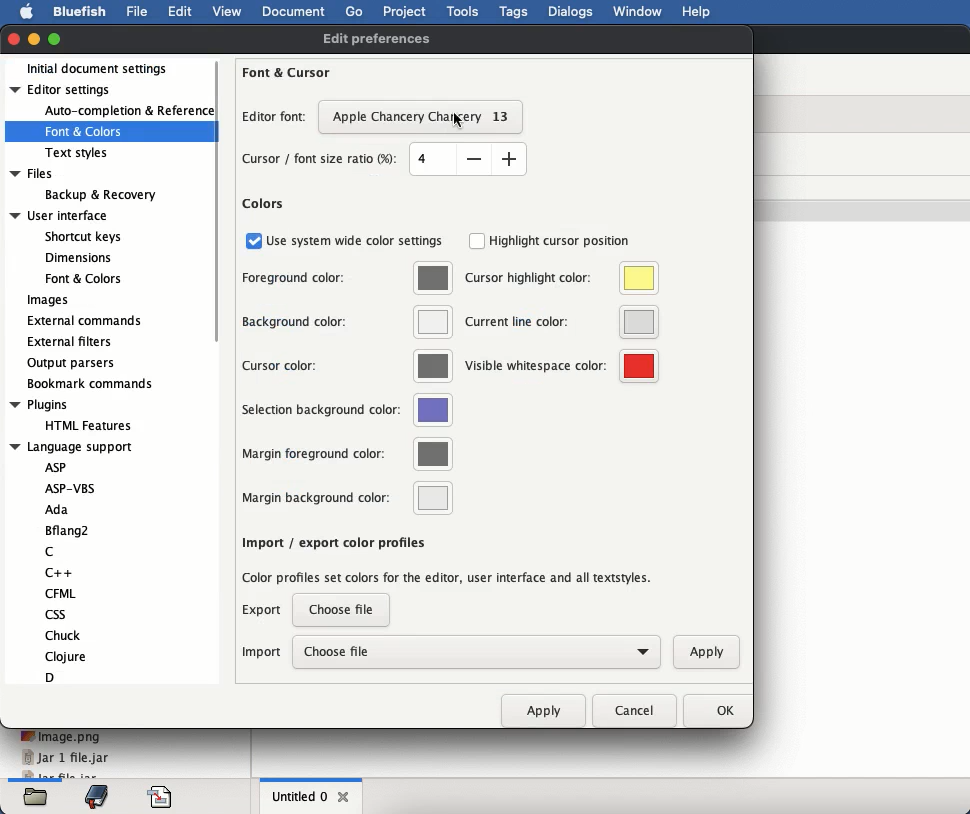  I want to click on files, so click(36, 797).